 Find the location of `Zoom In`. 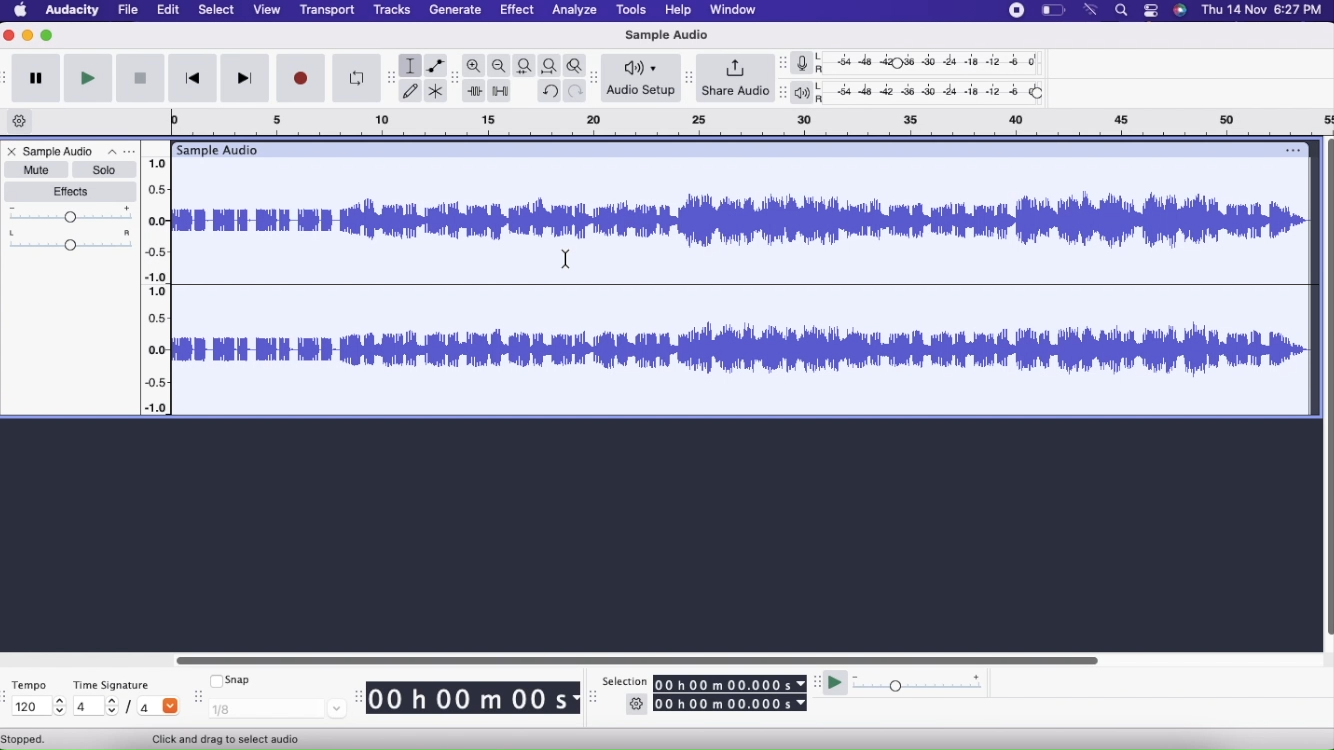

Zoom In is located at coordinates (476, 65).